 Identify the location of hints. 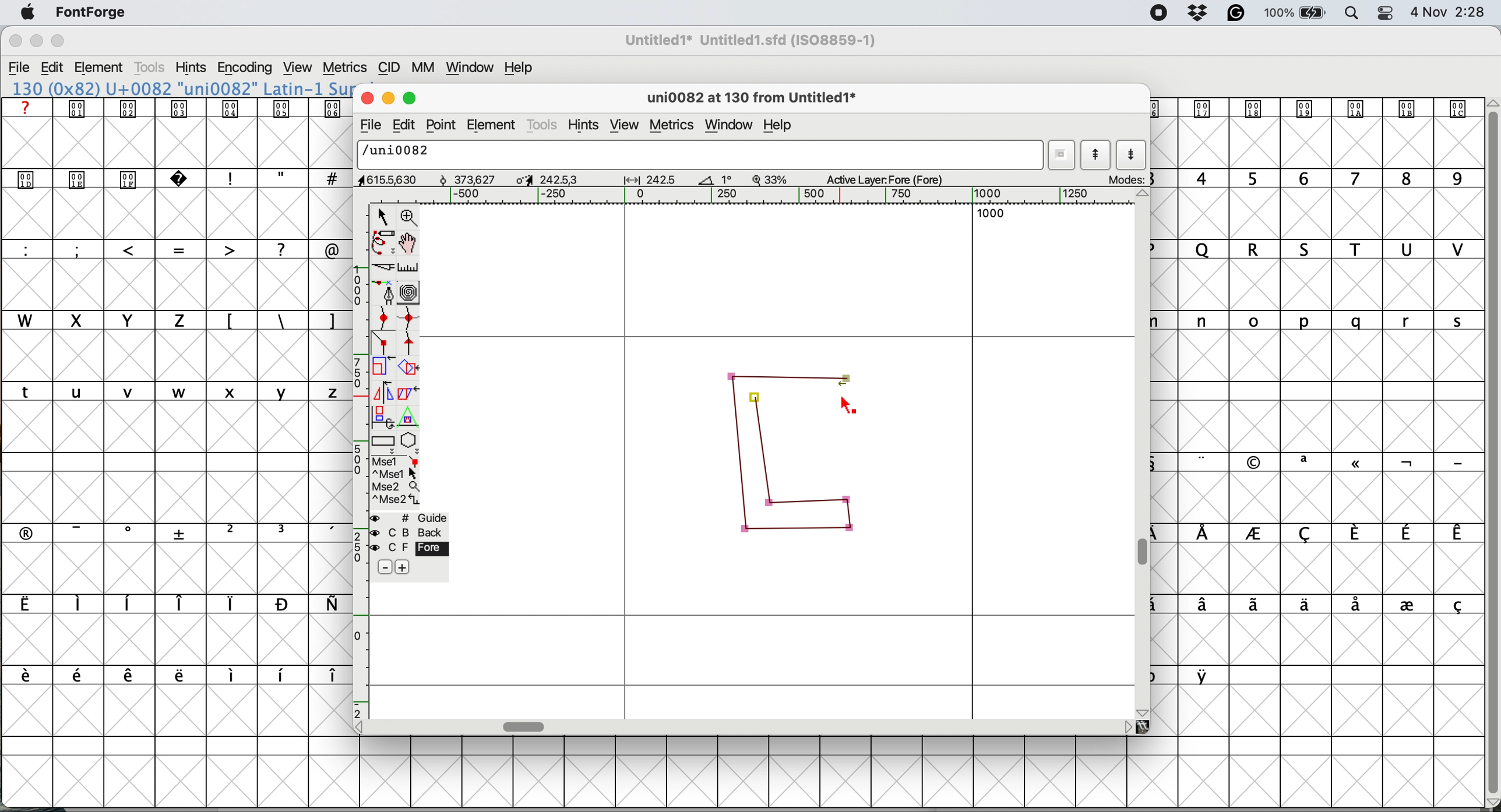
(584, 126).